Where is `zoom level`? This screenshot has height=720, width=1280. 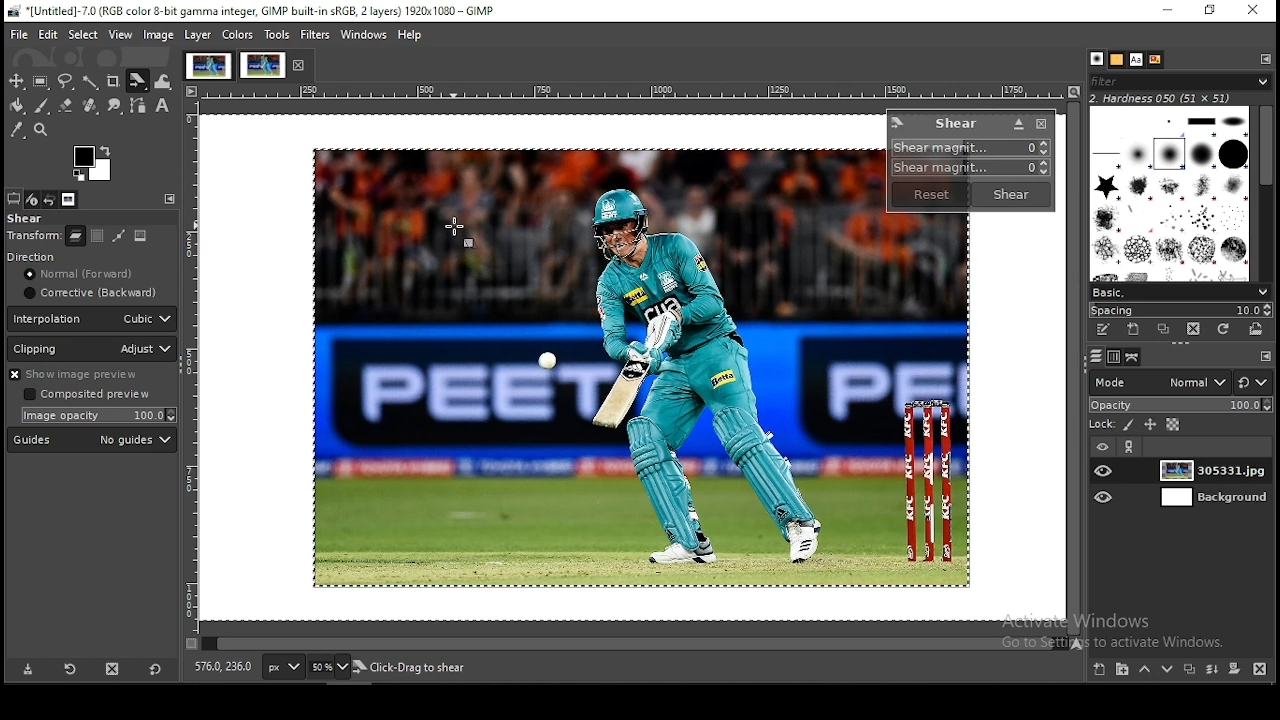 zoom level is located at coordinates (330, 667).